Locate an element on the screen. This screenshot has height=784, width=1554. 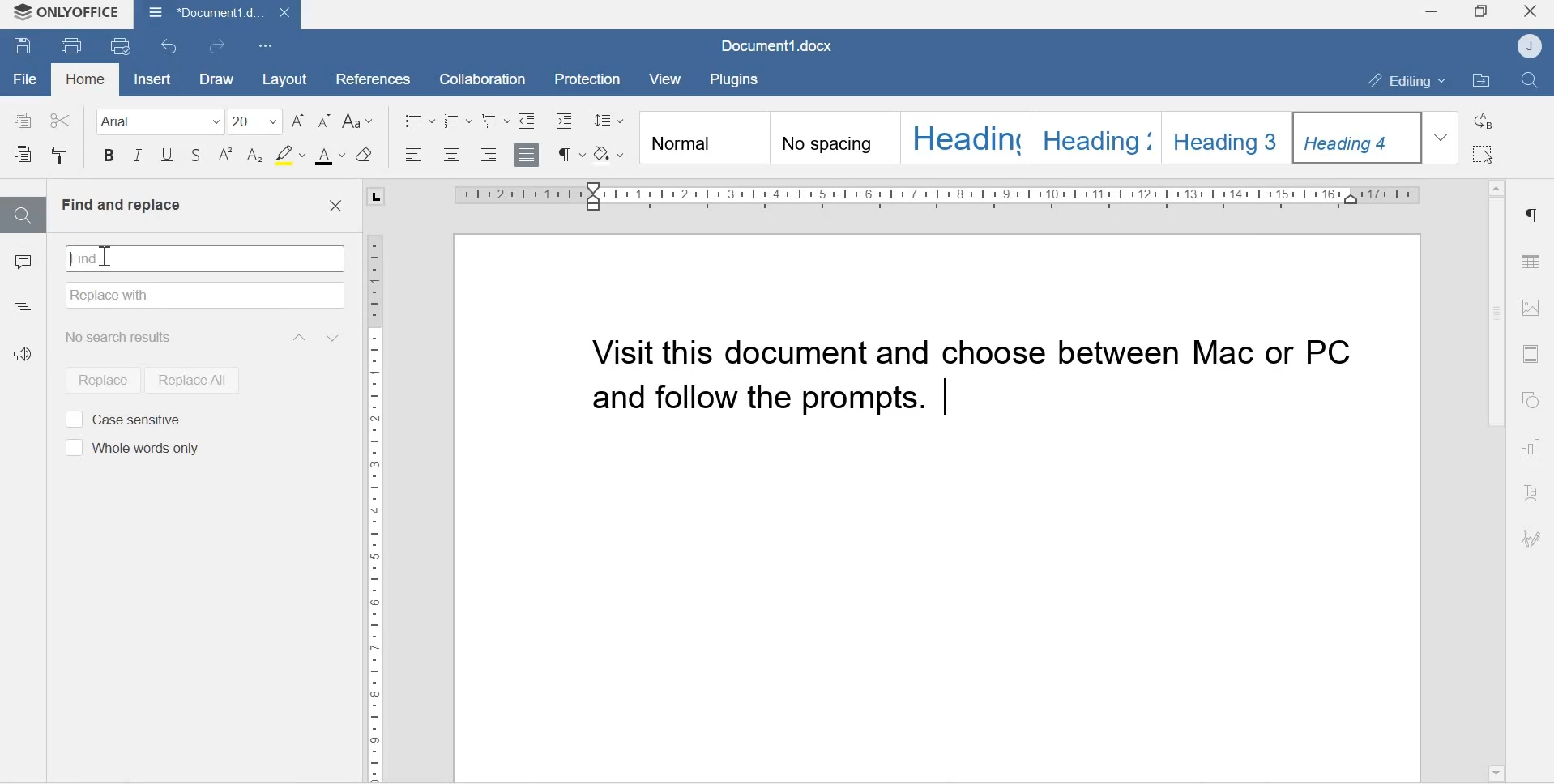
Non printing characters is located at coordinates (570, 154).